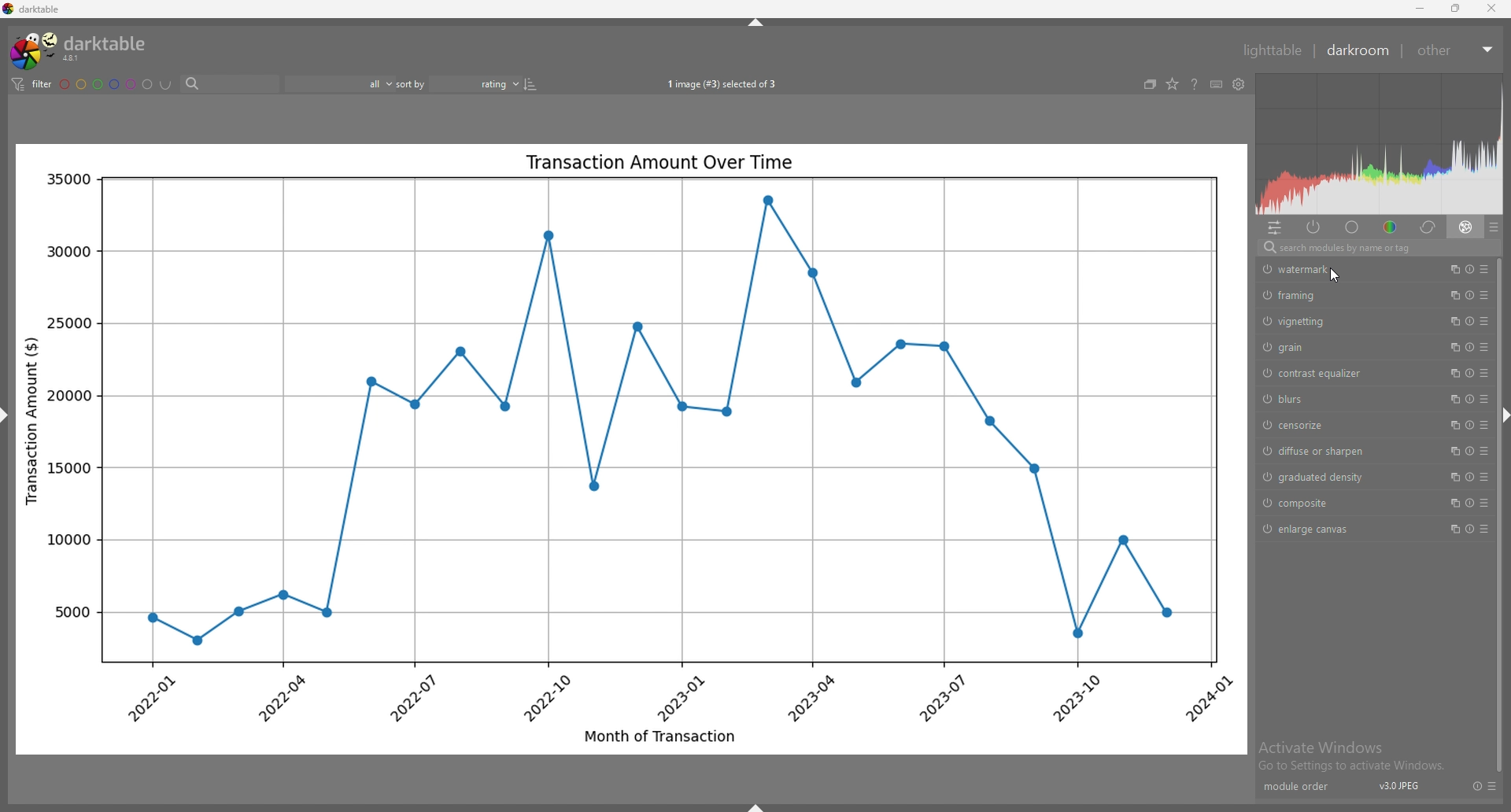 The image size is (1511, 812). What do you see at coordinates (1466, 227) in the screenshot?
I see `effect` at bounding box center [1466, 227].